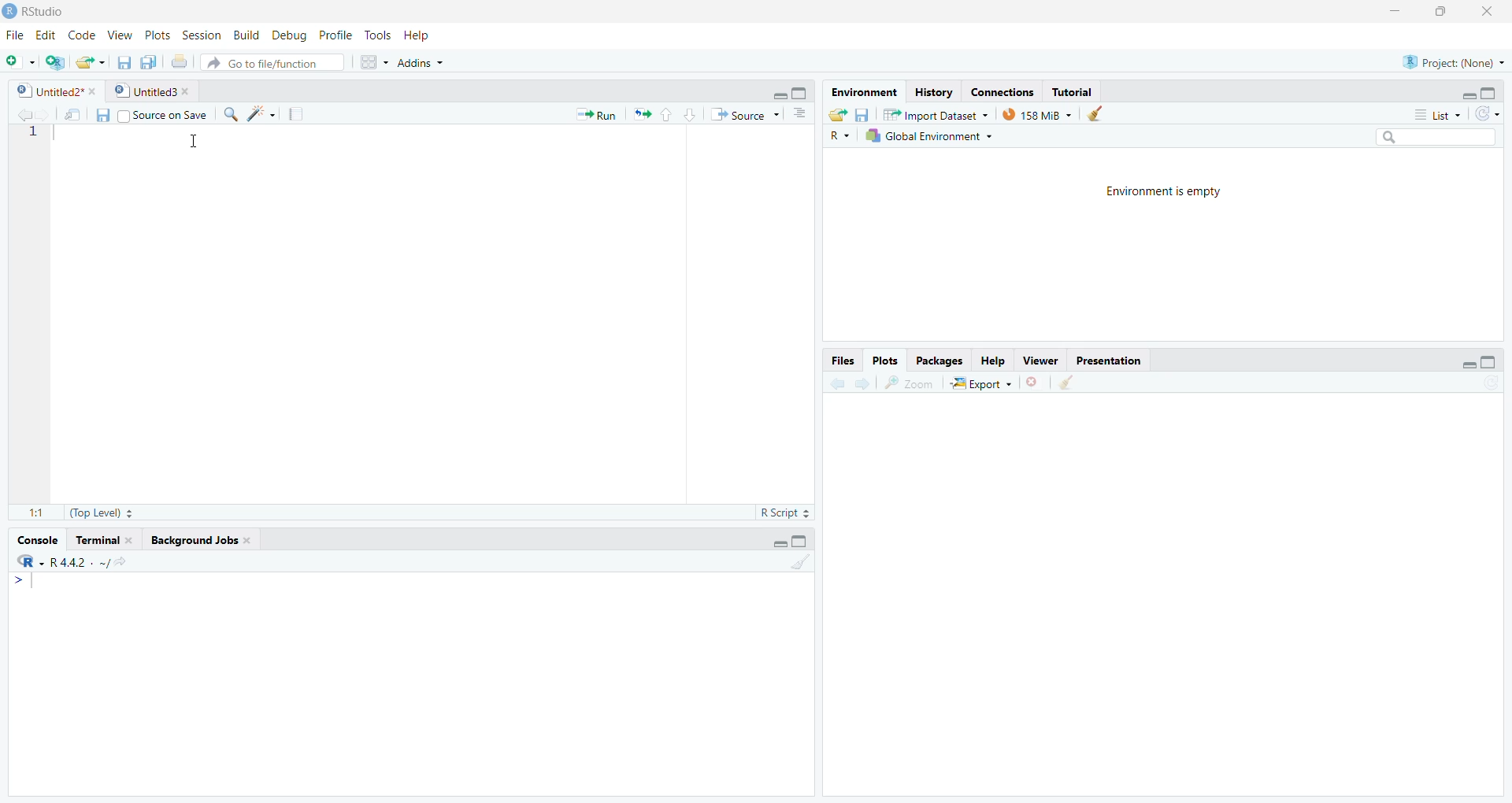 This screenshot has width=1512, height=803. Describe the element at coordinates (276, 62) in the screenshot. I see `Go to file/function` at that location.